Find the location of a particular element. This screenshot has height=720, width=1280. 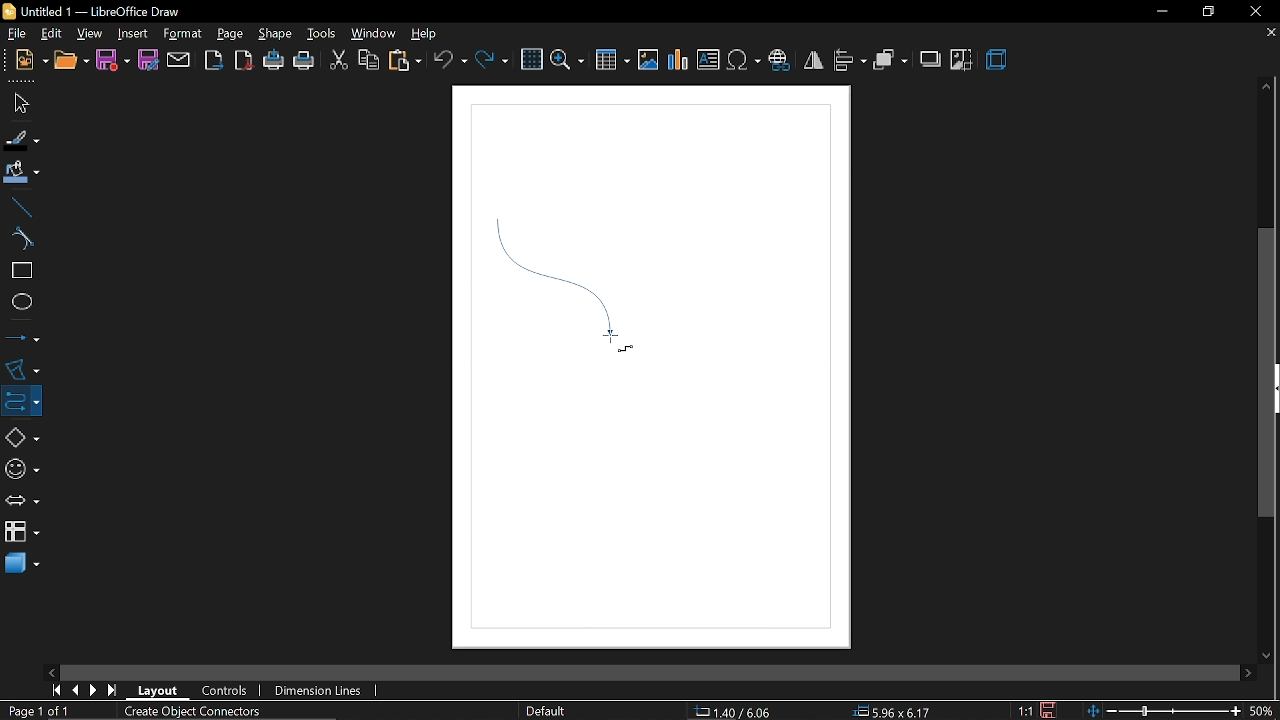

grid is located at coordinates (530, 59).